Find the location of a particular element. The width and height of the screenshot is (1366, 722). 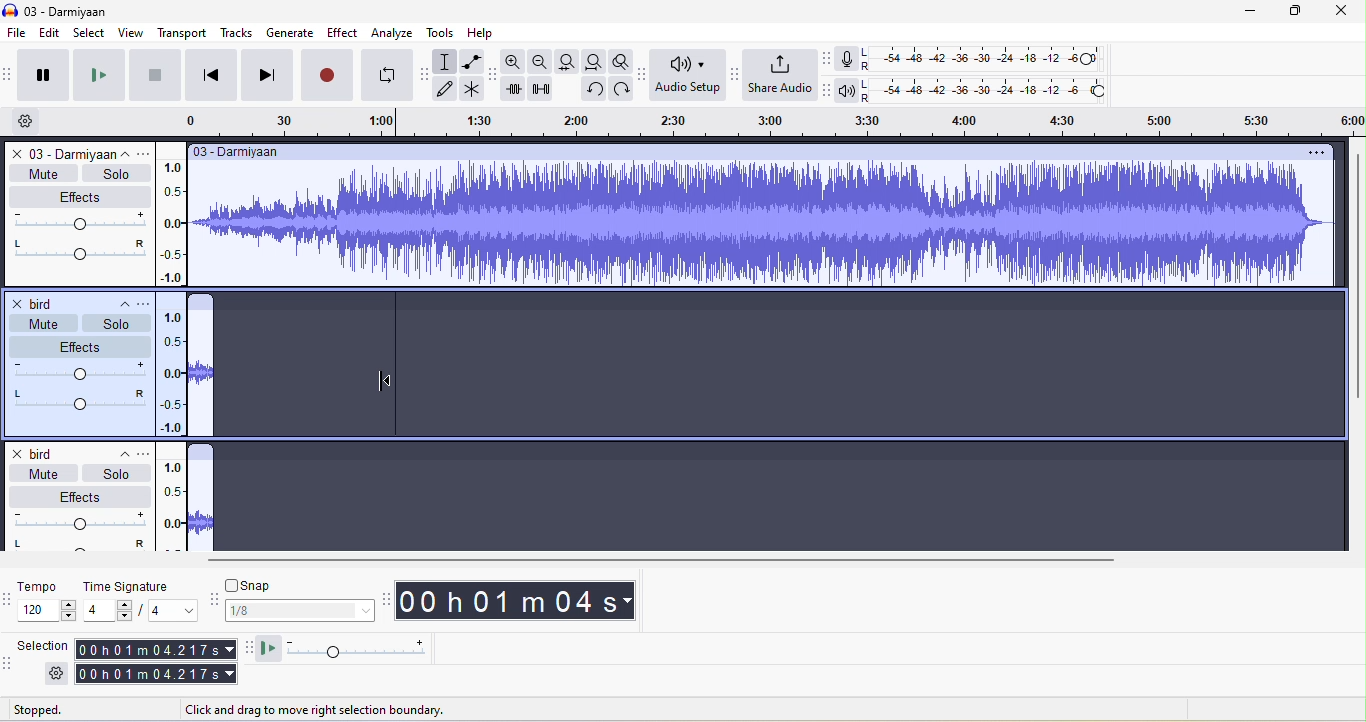

stop is located at coordinates (150, 77).